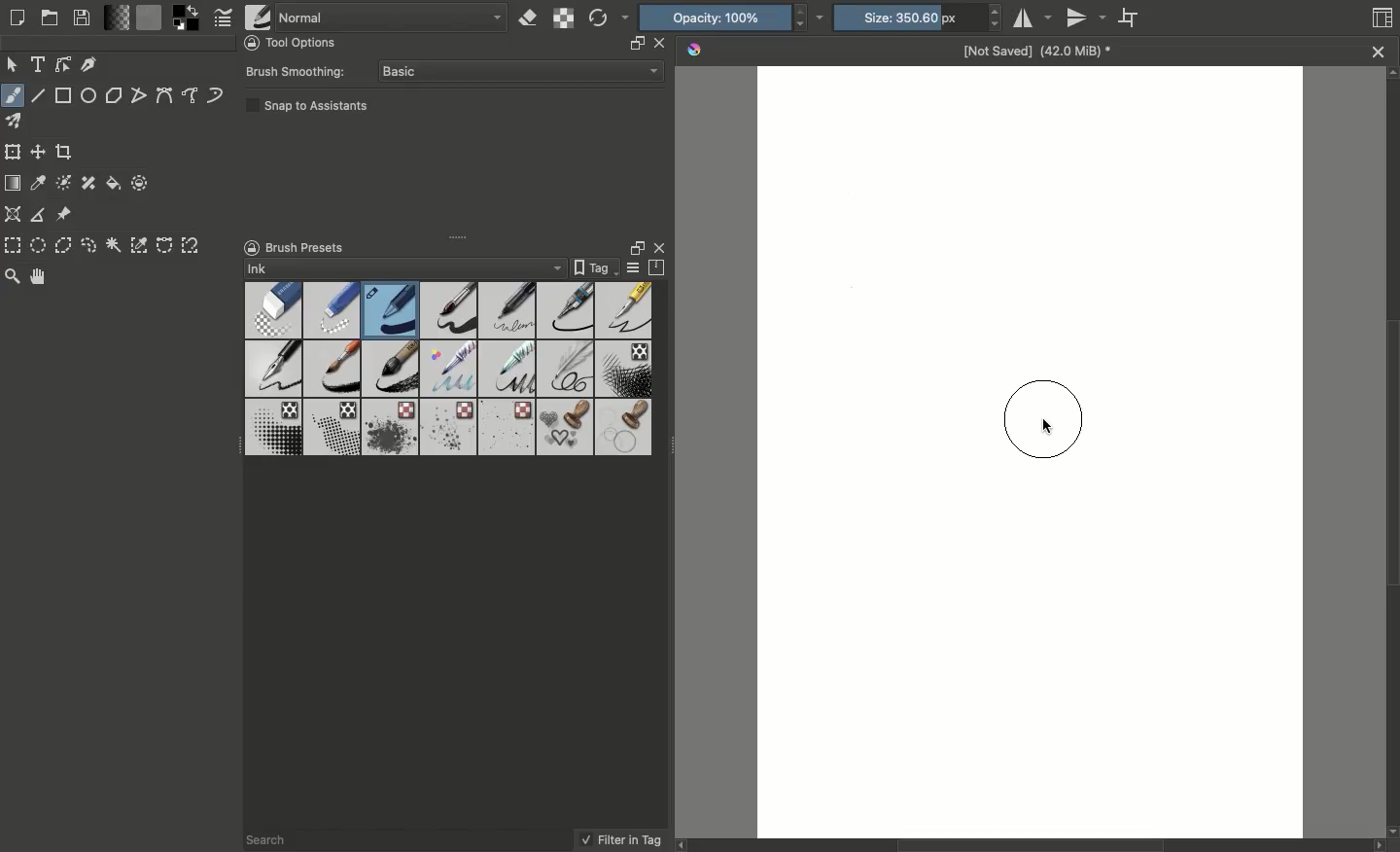  What do you see at coordinates (463, 235) in the screenshot?
I see `Drag` at bounding box center [463, 235].